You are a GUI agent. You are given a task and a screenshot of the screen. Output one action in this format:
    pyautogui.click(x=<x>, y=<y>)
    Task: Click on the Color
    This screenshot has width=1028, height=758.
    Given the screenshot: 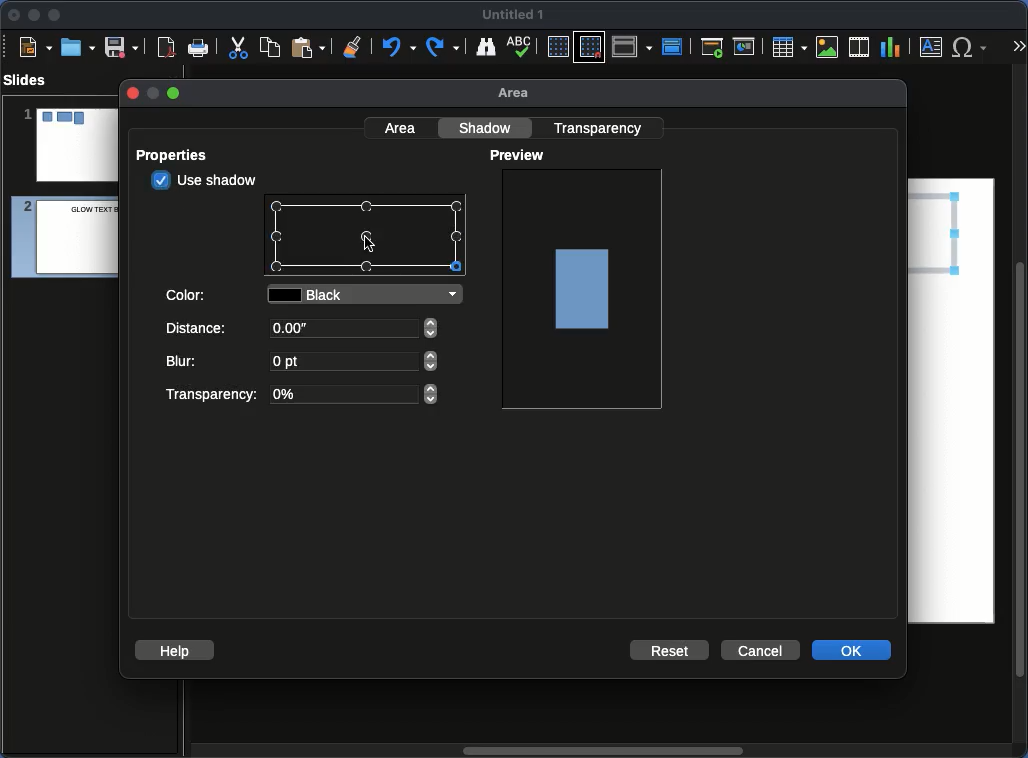 What is the action you would take?
    pyautogui.click(x=188, y=293)
    